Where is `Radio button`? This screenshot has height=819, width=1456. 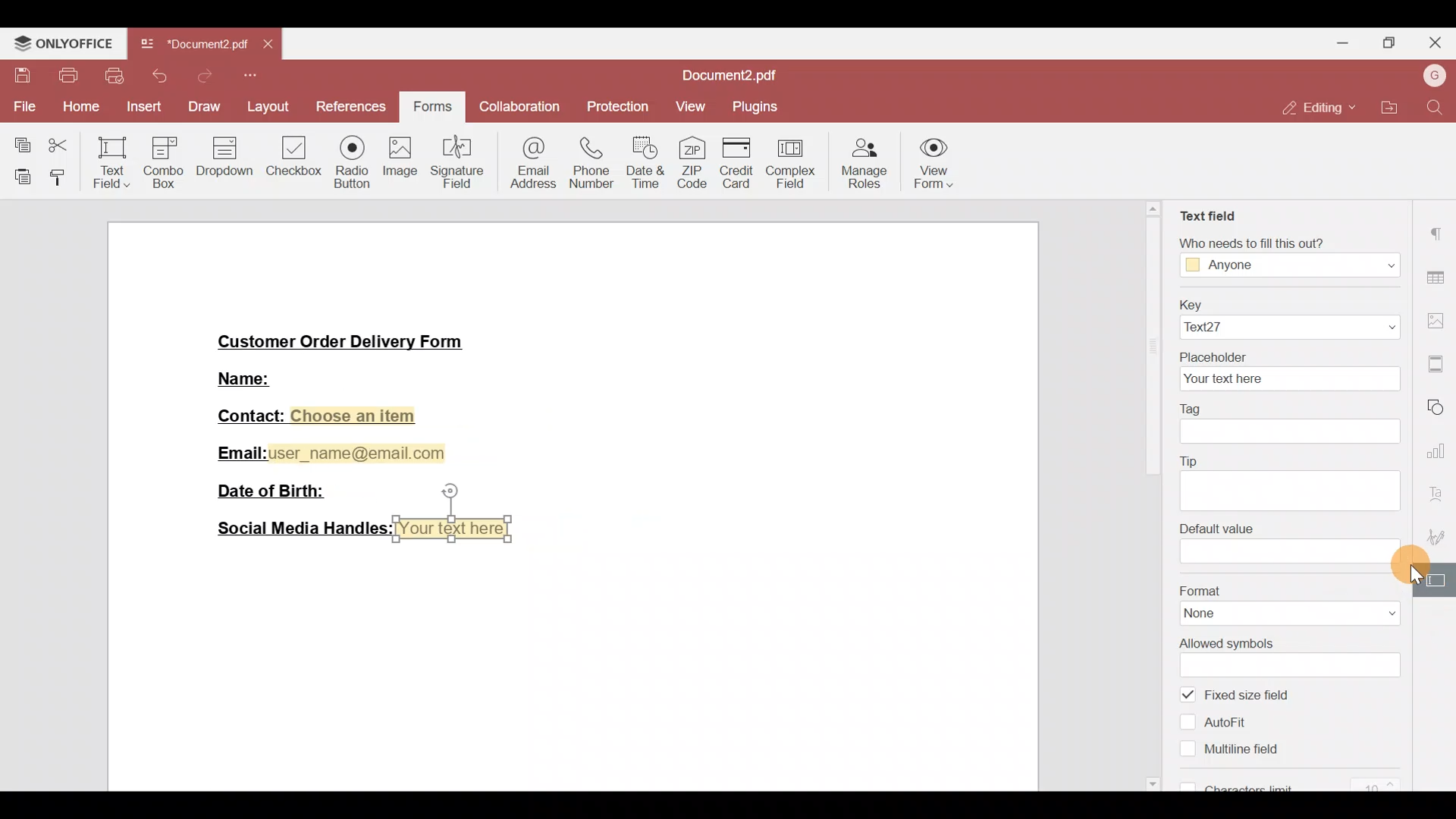
Radio button is located at coordinates (347, 159).